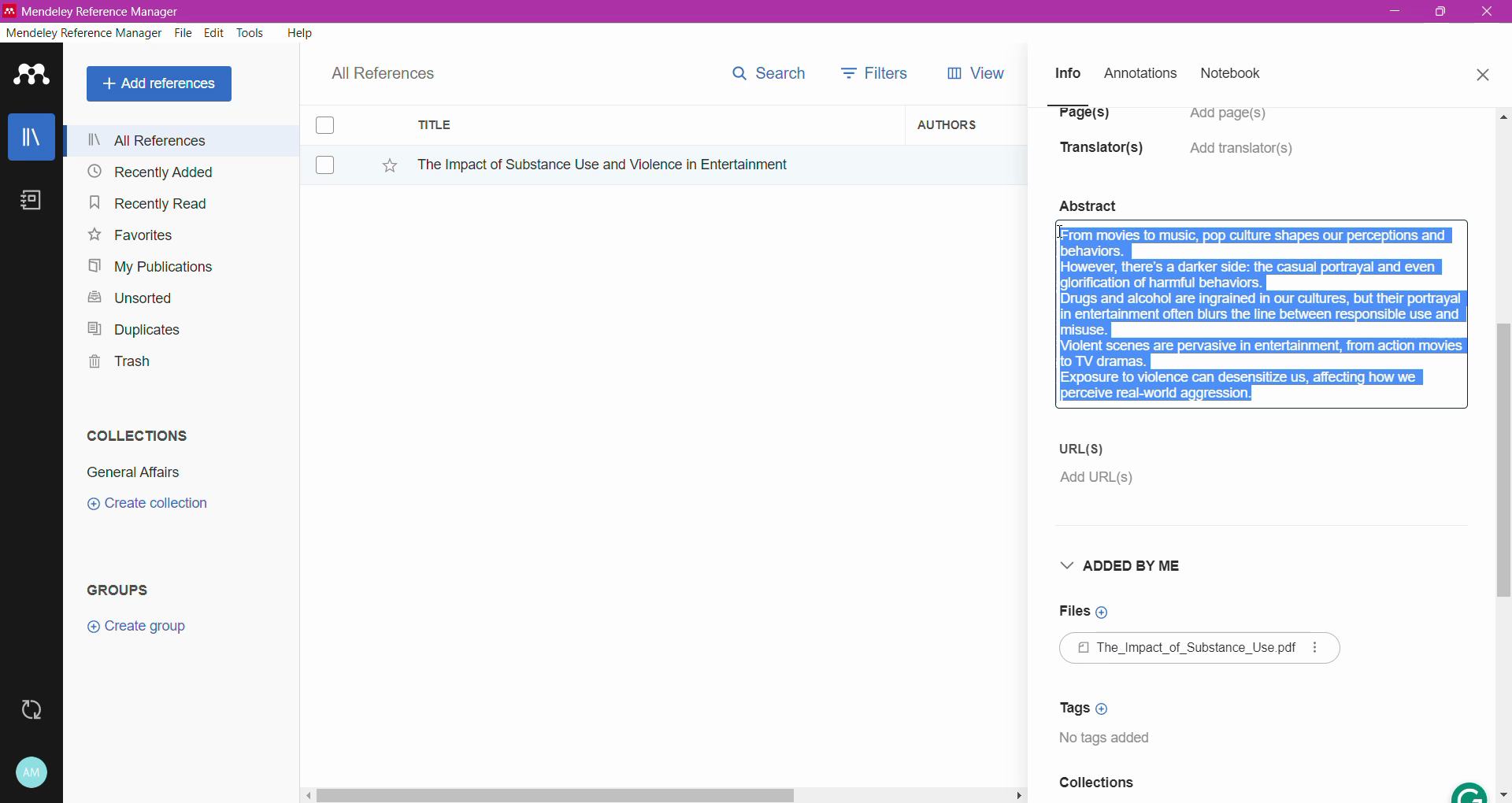  I want to click on Restore Down, so click(1442, 13).